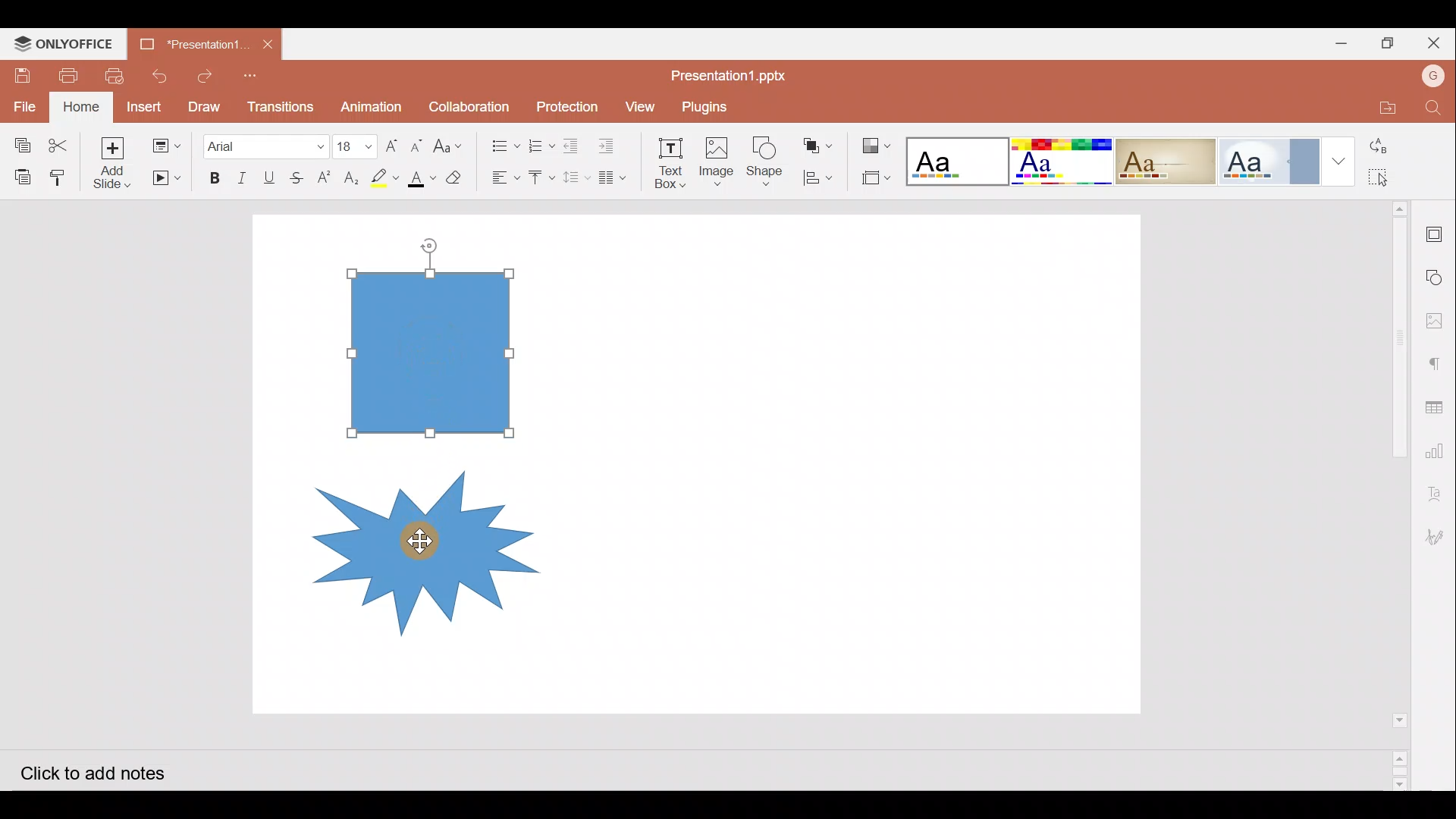 The width and height of the screenshot is (1456, 819). What do you see at coordinates (165, 178) in the screenshot?
I see `Start slideshow` at bounding box center [165, 178].